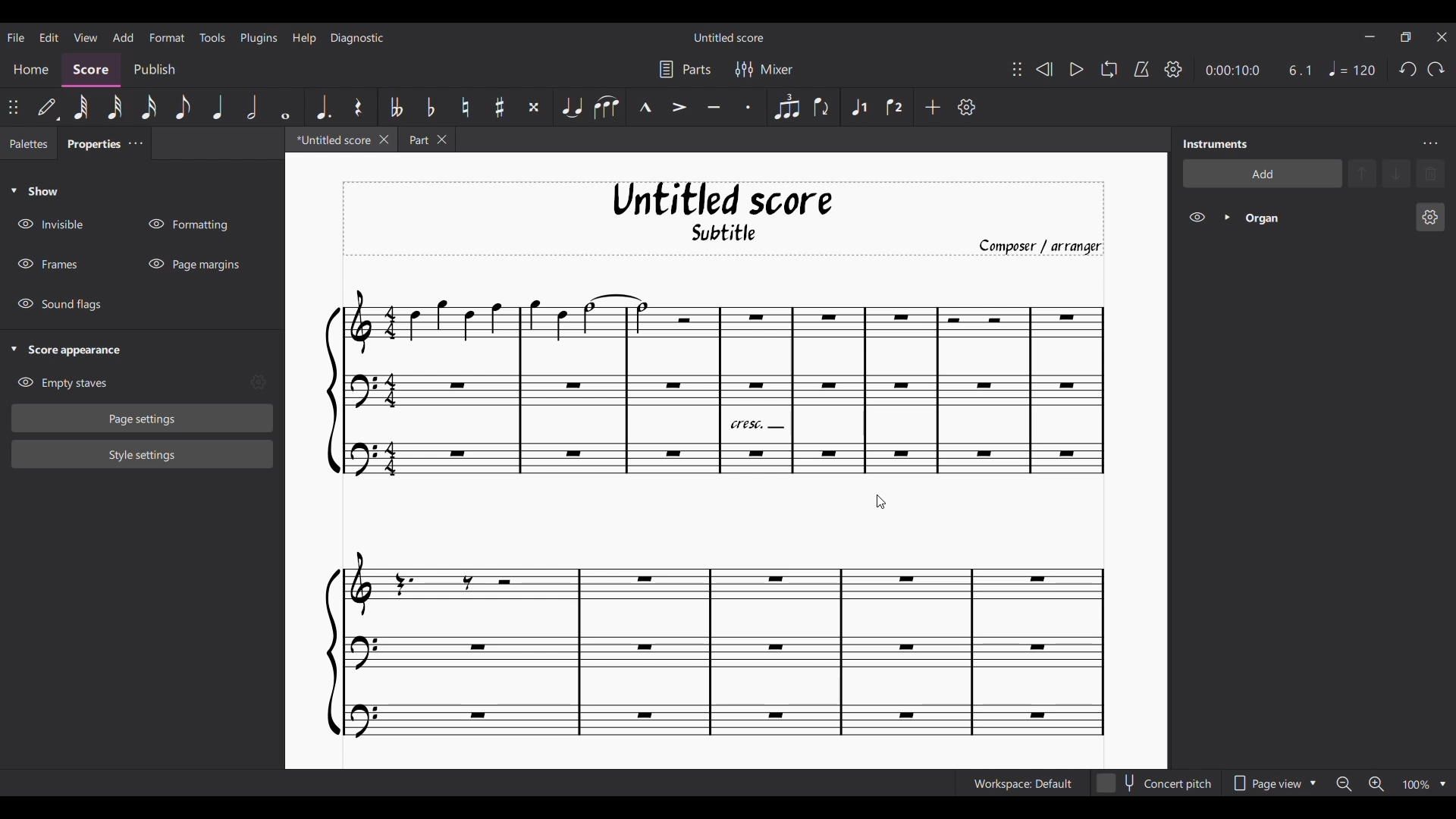  What do you see at coordinates (384, 139) in the screenshot?
I see `Close current tab` at bounding box center [384, 139].